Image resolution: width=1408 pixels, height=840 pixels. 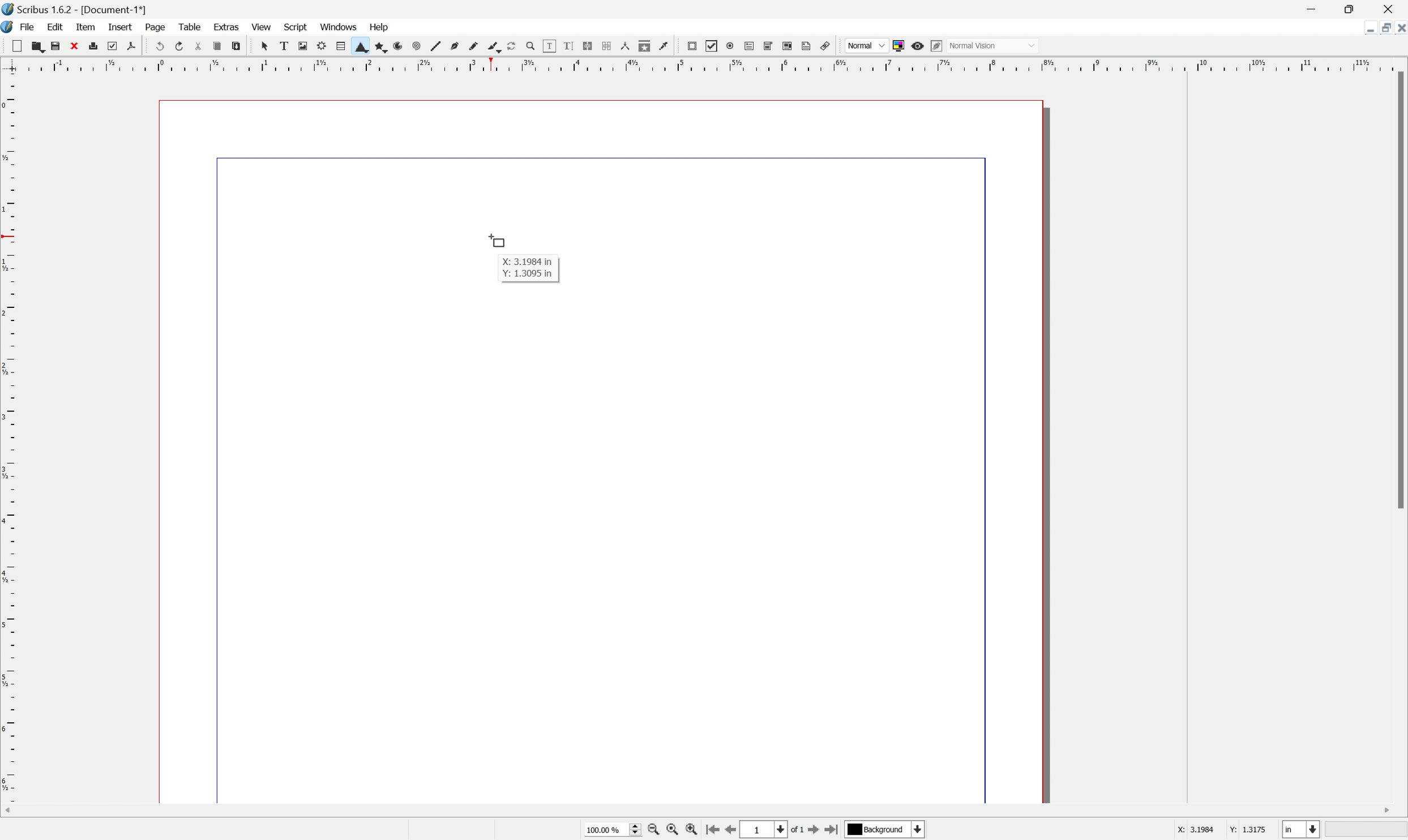 What do you see at coordinates (515, 46) in the screenshot?
I see `Rotate item` at bounding box center [515, 46].